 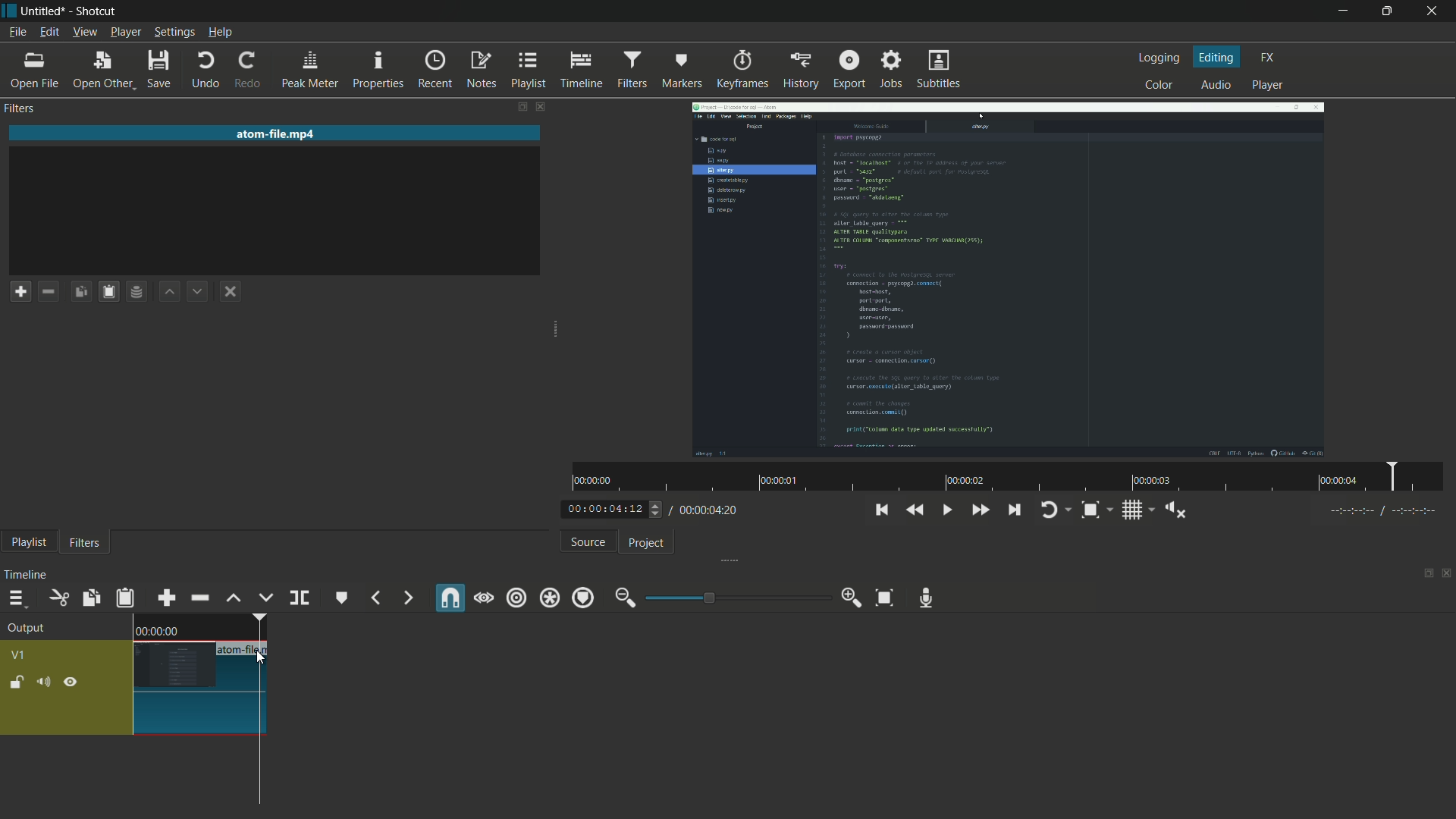 I want to click on imported file name, so click(x=277, y=134).